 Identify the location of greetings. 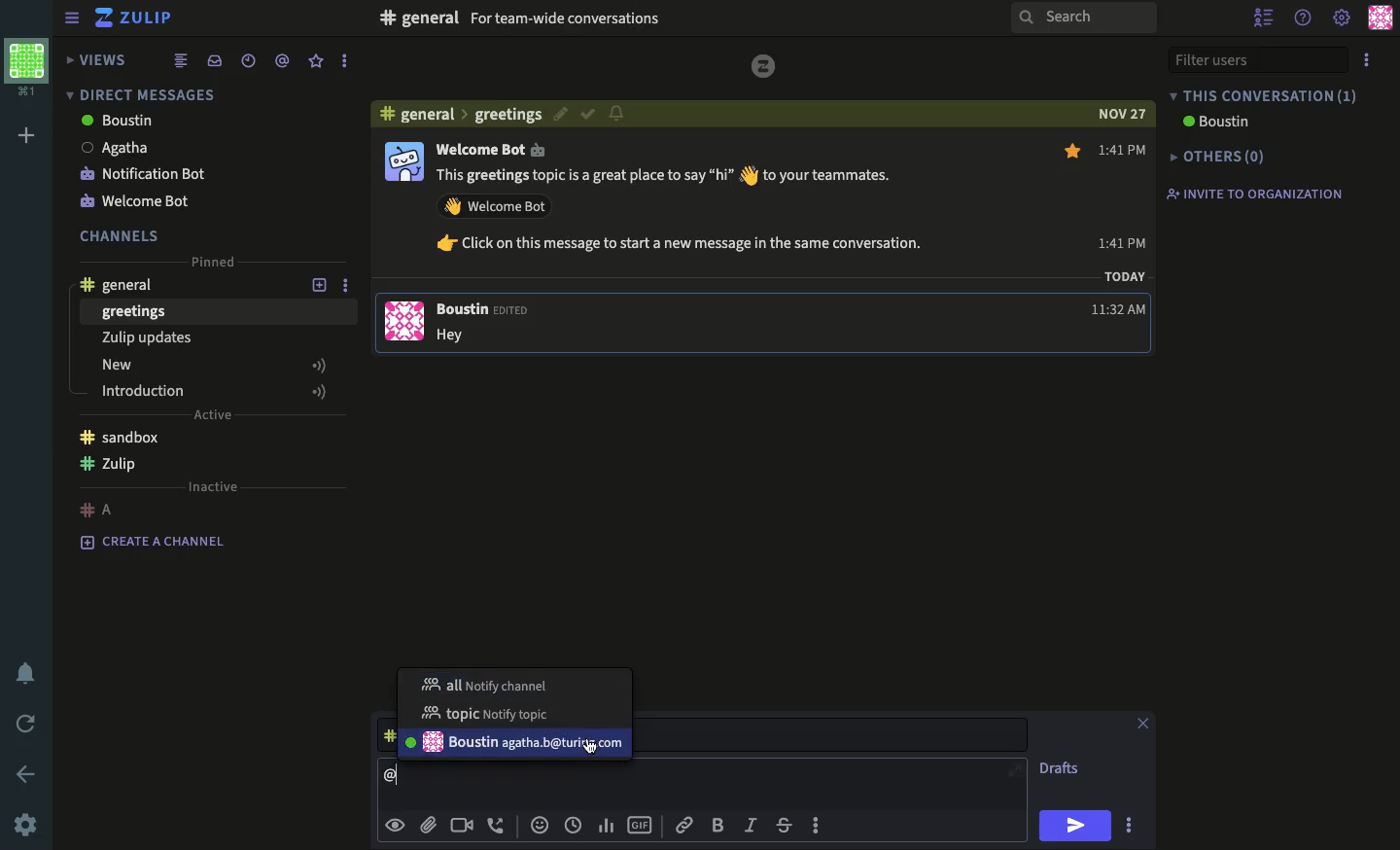
(135, 311).